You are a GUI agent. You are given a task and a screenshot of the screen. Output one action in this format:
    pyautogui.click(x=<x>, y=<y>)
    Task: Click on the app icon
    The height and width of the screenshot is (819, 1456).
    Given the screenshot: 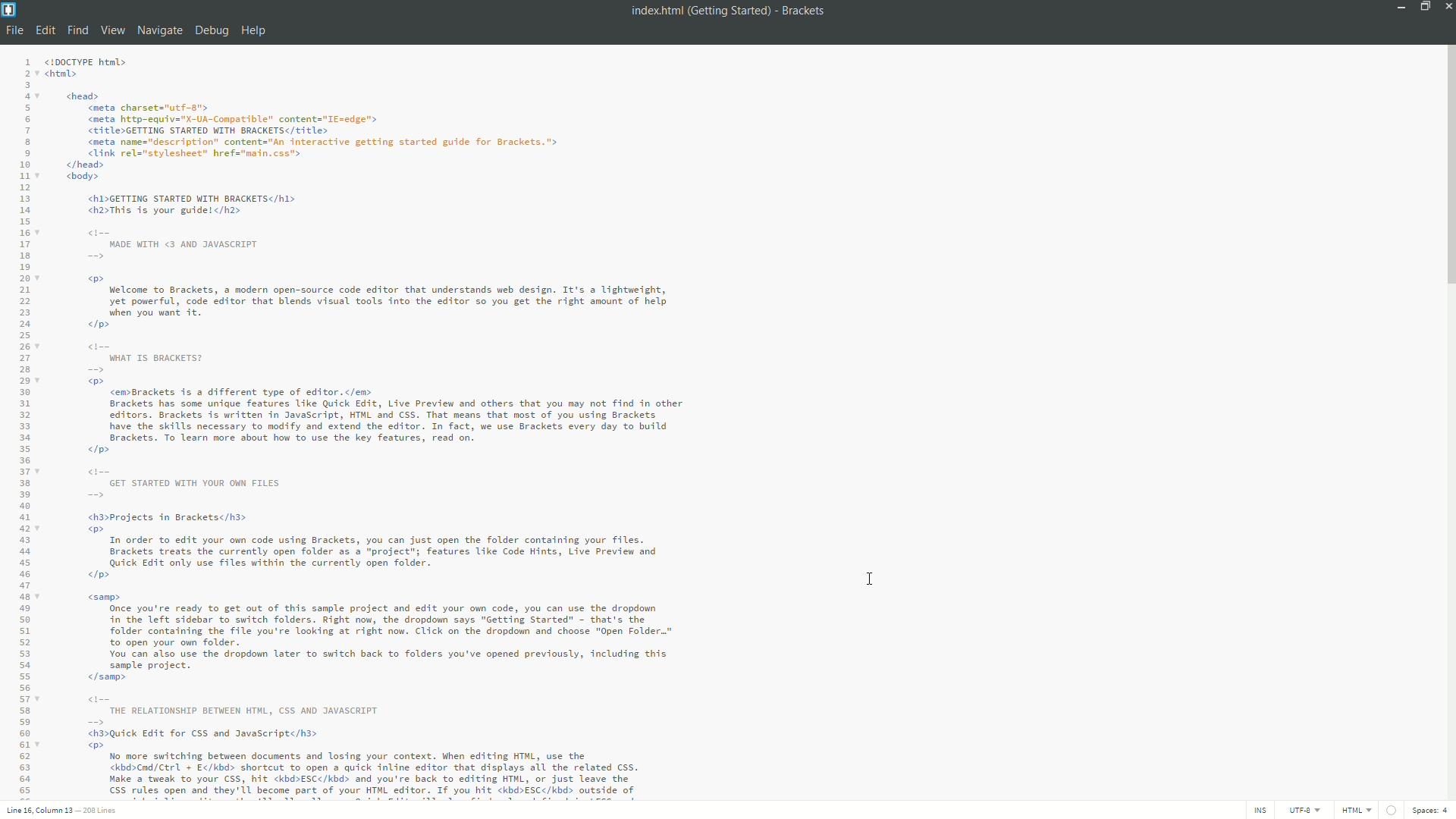 What is the action you would take?
    pyautogui.click(x=9, y=8)
    